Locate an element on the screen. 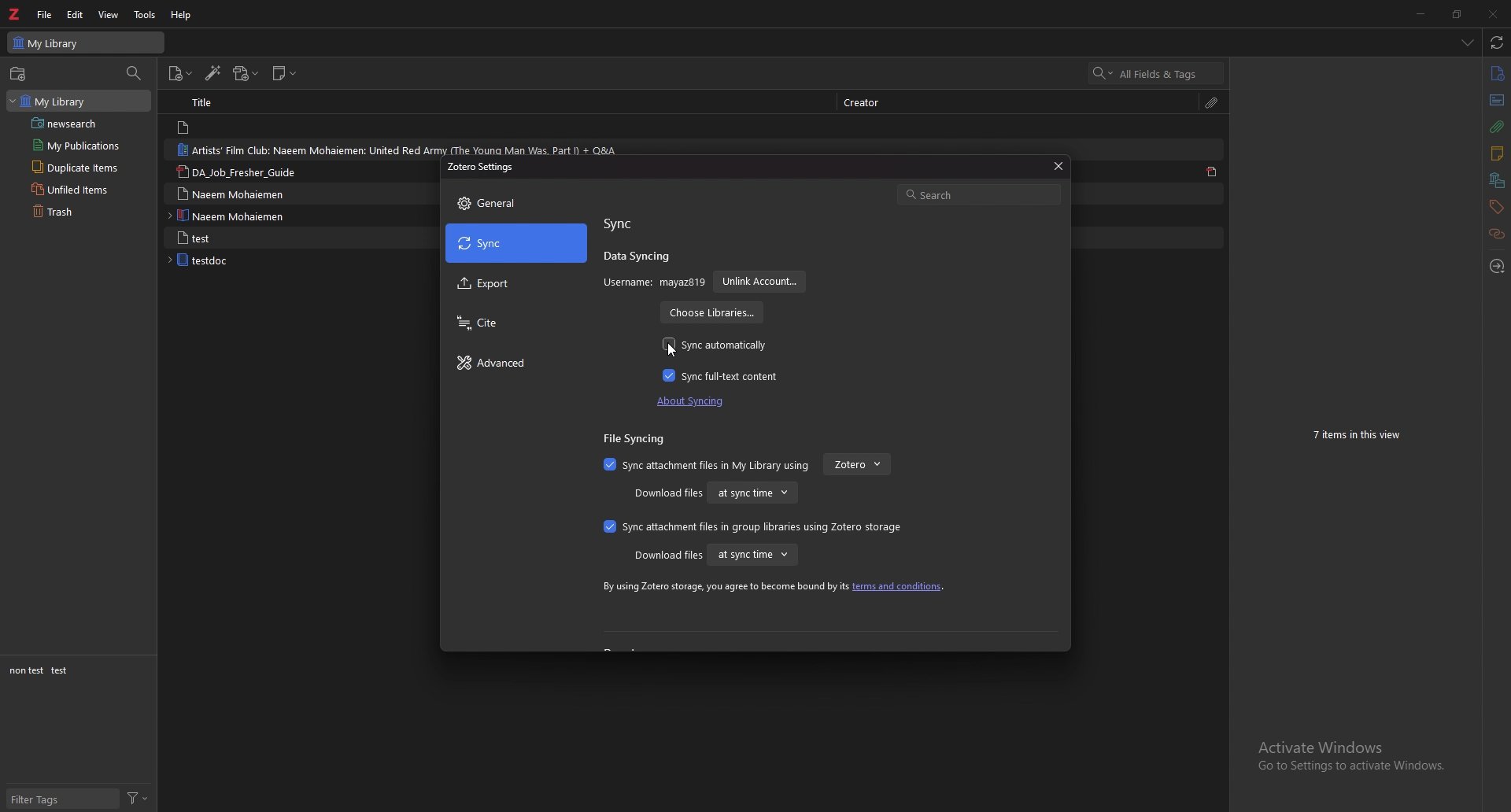 Image resolution: width=1511 pixels, height=812 pixels. attachment is located at coordinates (1496, 127).